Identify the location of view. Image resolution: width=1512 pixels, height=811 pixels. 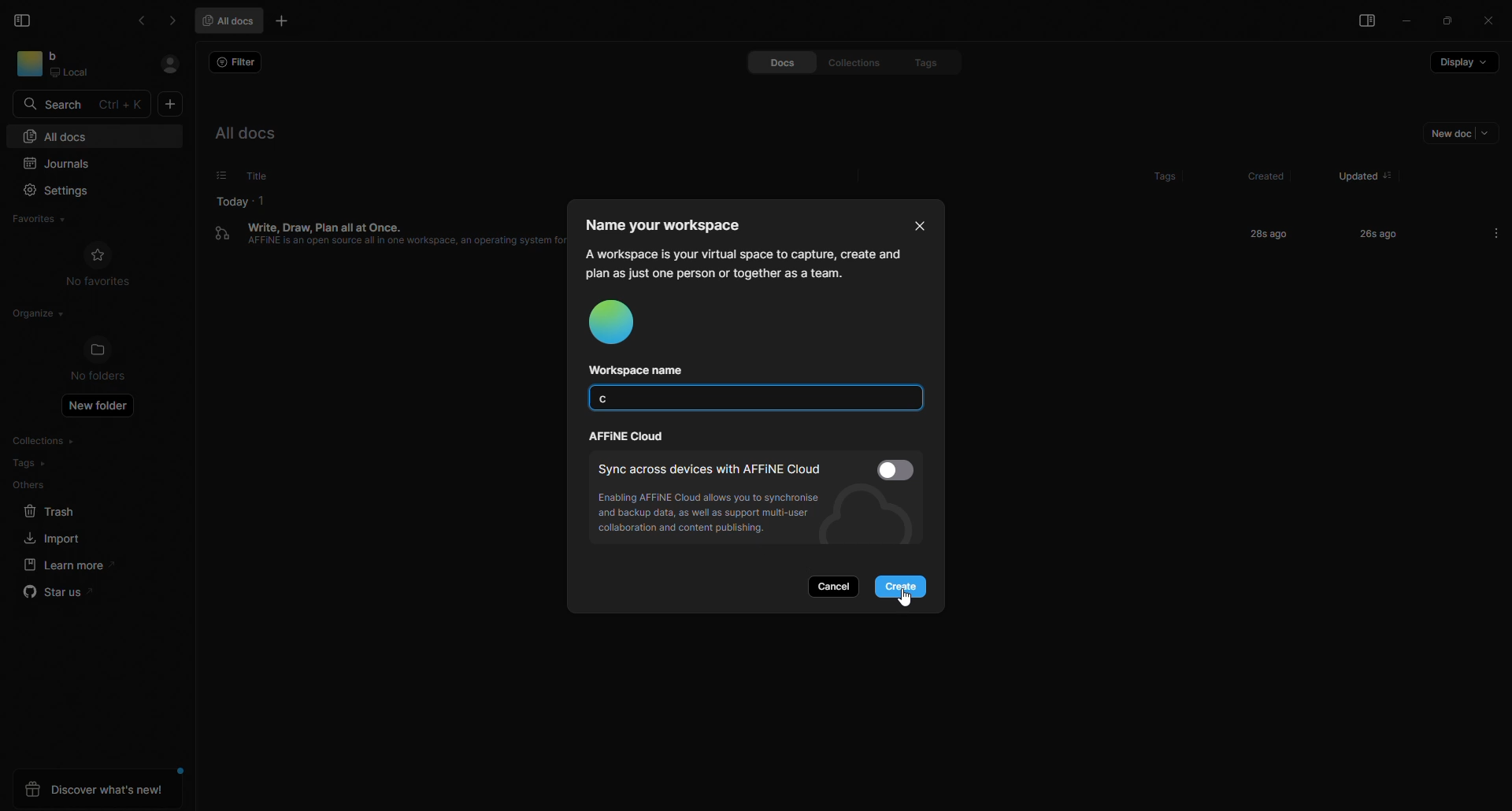
(1362, 23).